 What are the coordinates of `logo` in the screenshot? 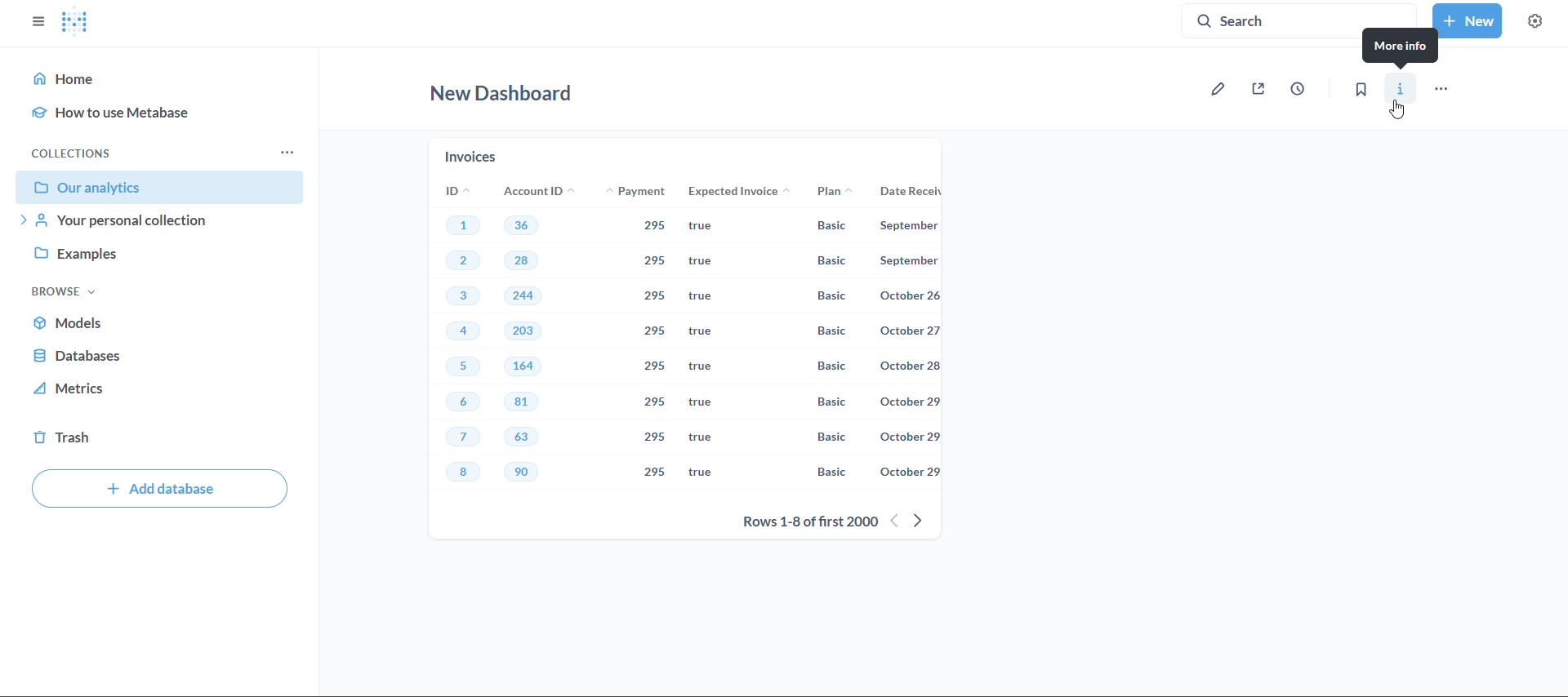 It's located at (73, 24).